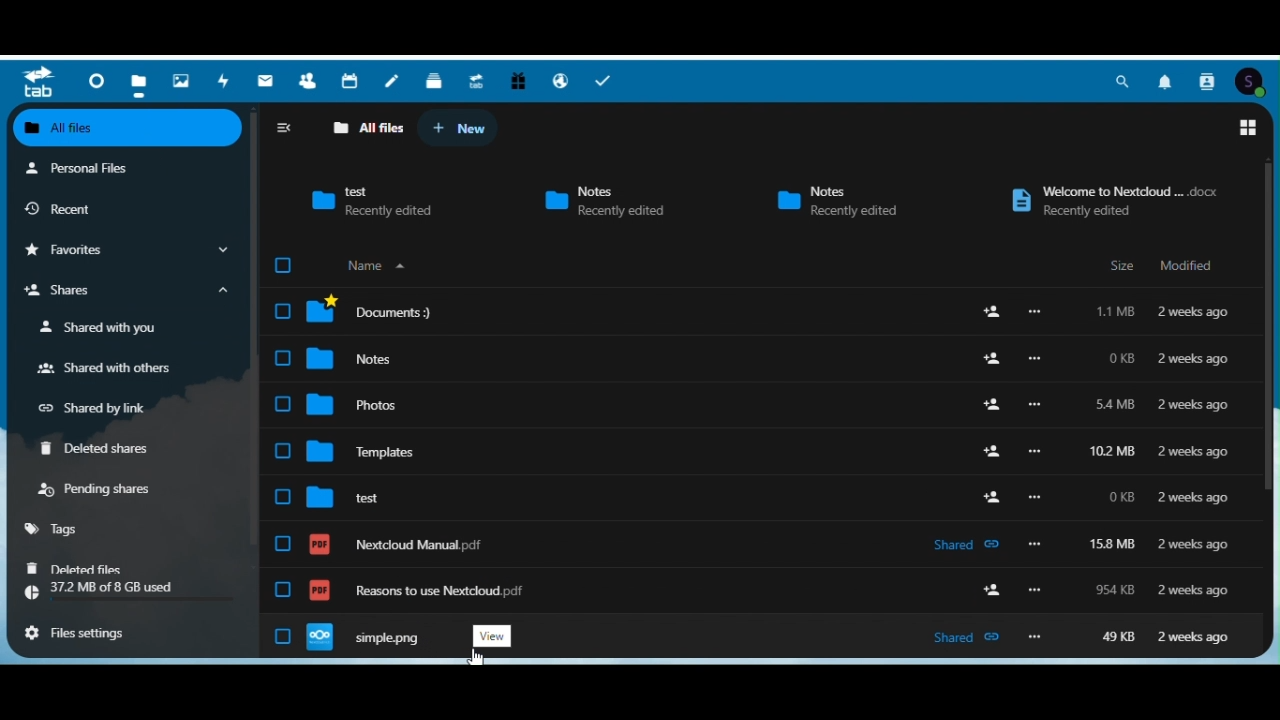  Describe the element at coordinates (130, 129) in the screenshot. I see `All files` at that location.